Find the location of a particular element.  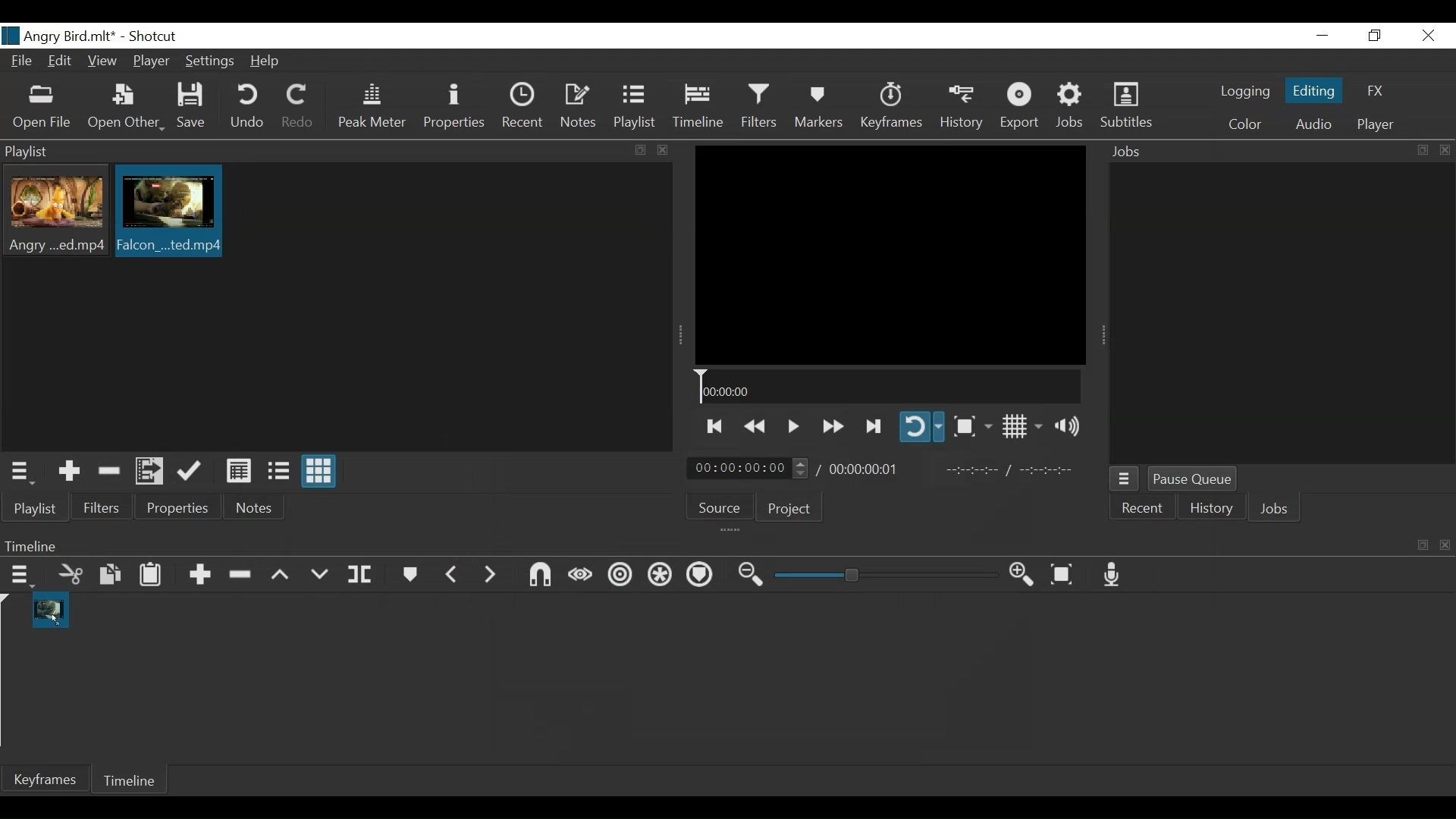

Pause Queue is located at coordinates (1194, 480).